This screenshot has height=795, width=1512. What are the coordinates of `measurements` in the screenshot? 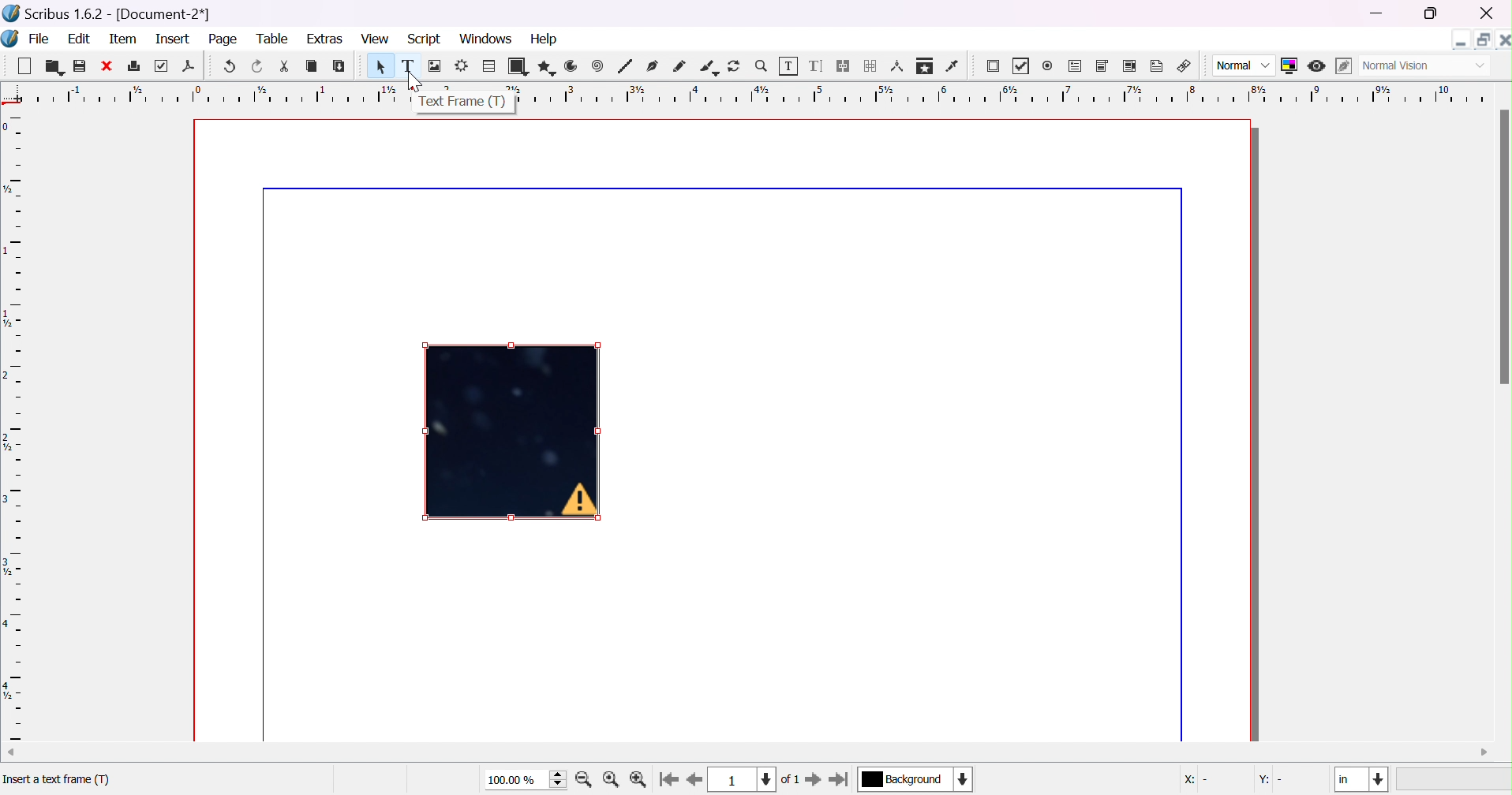 It's located at (897, 66).